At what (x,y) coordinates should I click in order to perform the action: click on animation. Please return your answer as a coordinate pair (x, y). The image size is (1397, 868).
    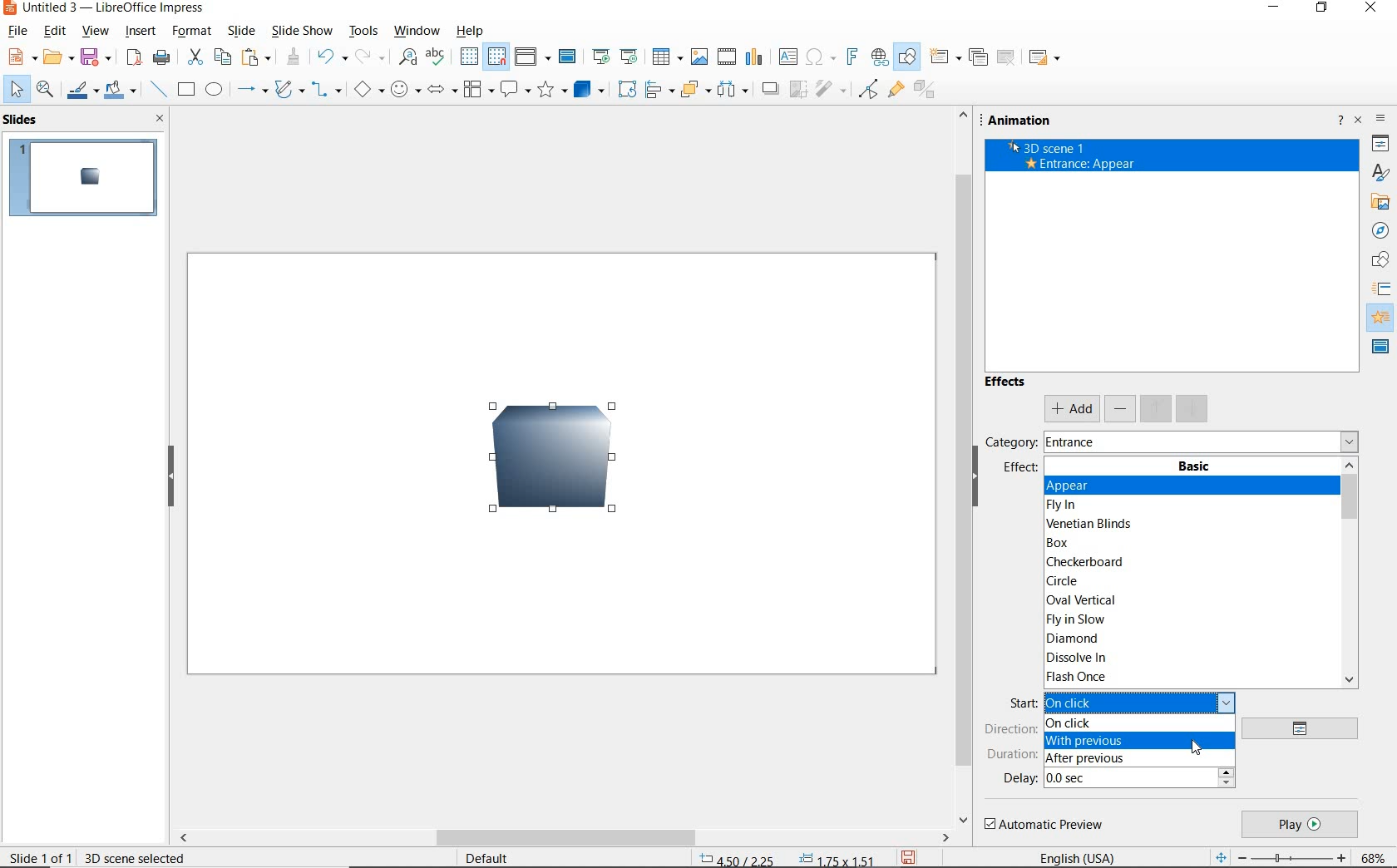
    Looking at the image, I should click on (1024, 121).